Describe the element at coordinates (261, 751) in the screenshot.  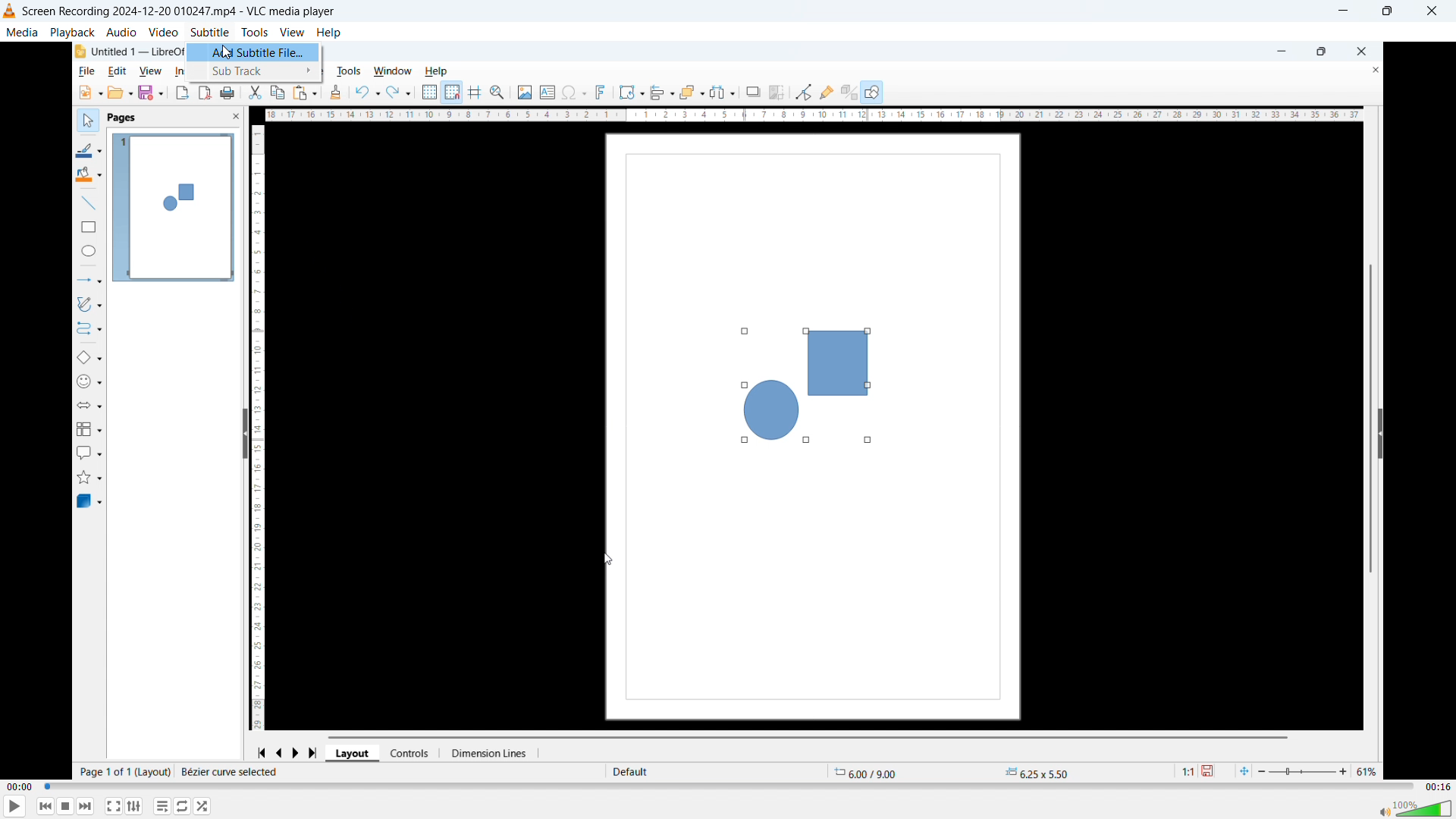
I see `first page` at that location.